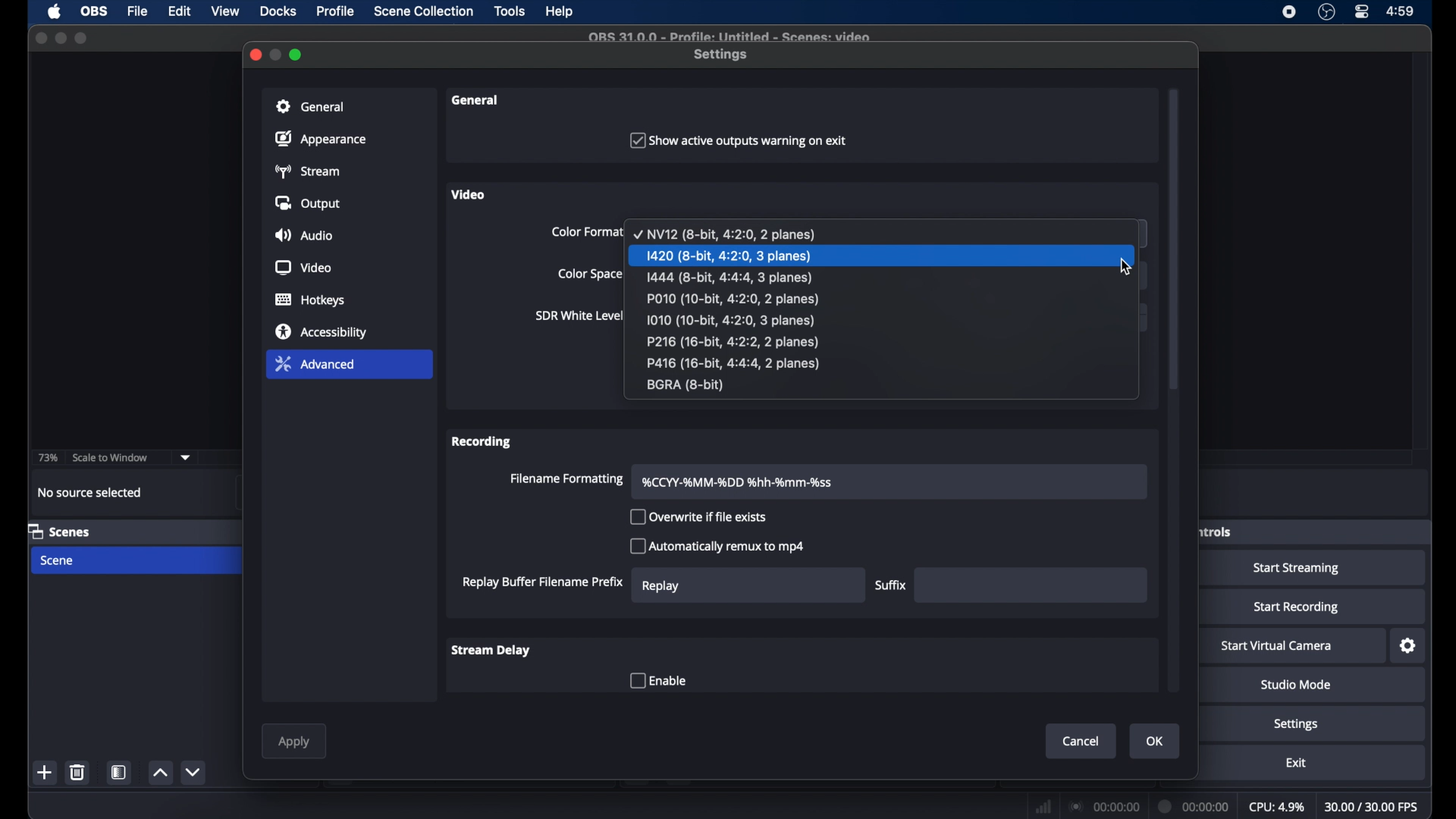 This screenshot has width=1456, height=819. What do you see at coordinates (322, 331) in the screenshot?
I see `accessibility` at bounding box center [322, 331].